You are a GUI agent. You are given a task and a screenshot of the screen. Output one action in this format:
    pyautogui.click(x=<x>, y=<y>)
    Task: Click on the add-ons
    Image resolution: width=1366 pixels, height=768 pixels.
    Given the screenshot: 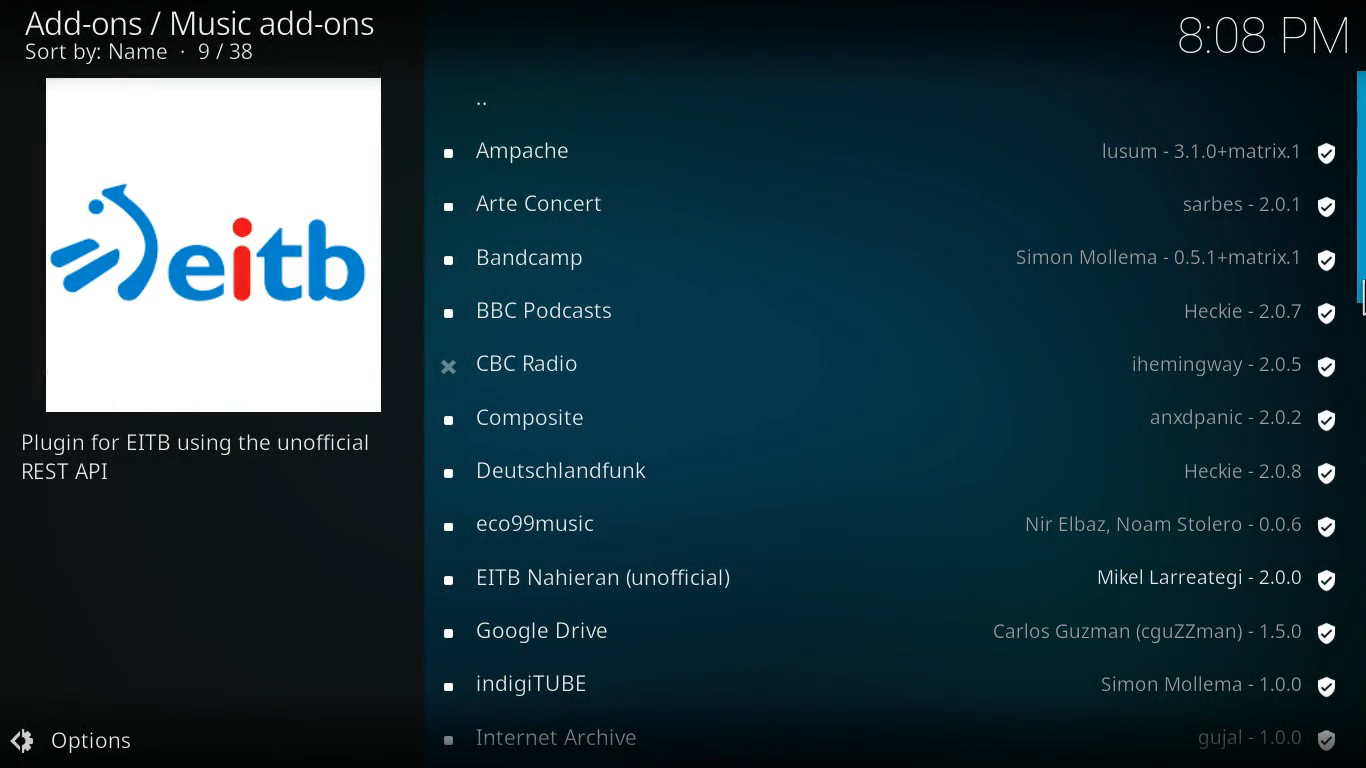 What is the action you would take?
    pyautogui.click(x=541, y=365)
    